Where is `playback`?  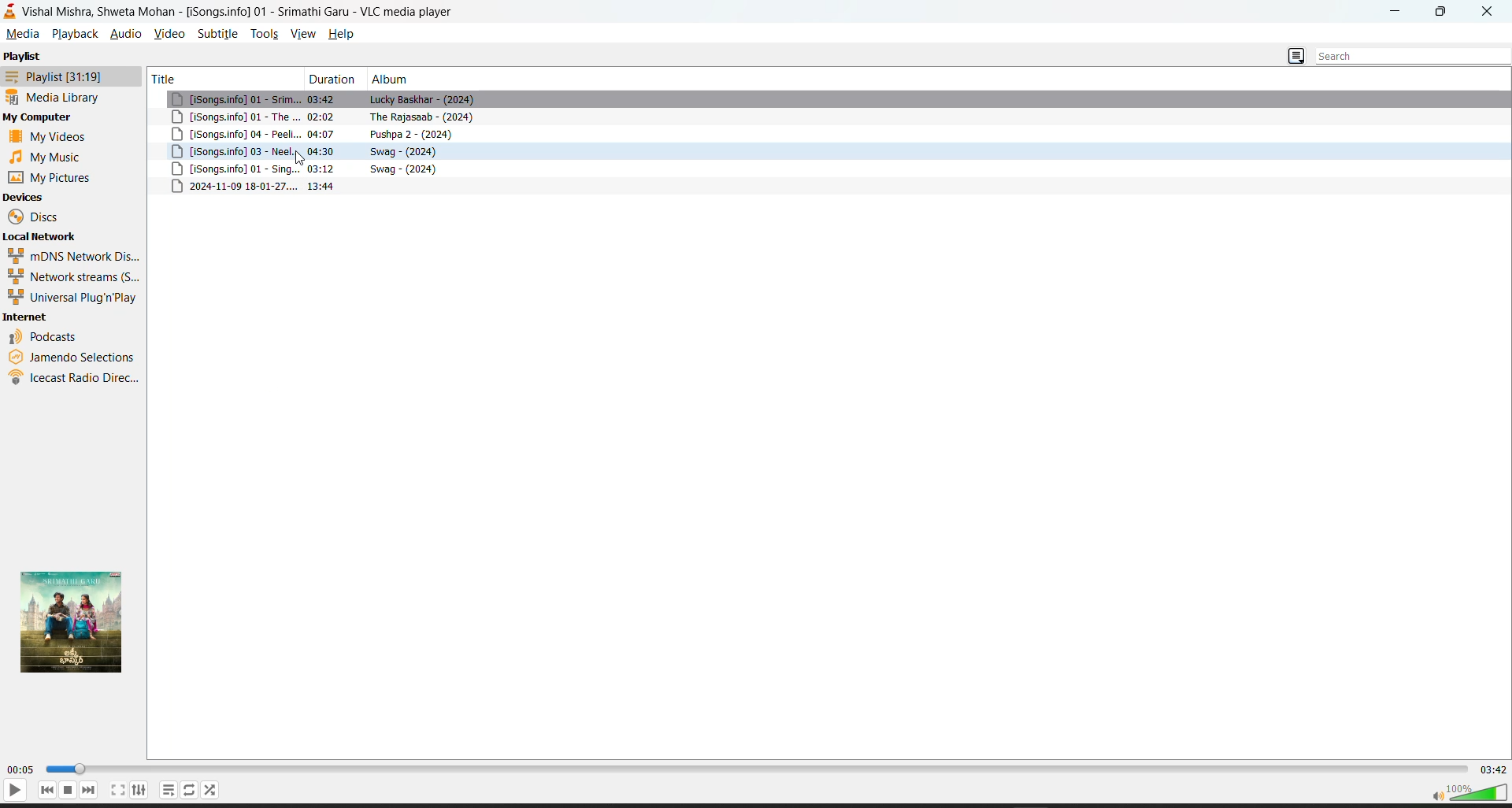 playback is located at coordinates (76, 33).